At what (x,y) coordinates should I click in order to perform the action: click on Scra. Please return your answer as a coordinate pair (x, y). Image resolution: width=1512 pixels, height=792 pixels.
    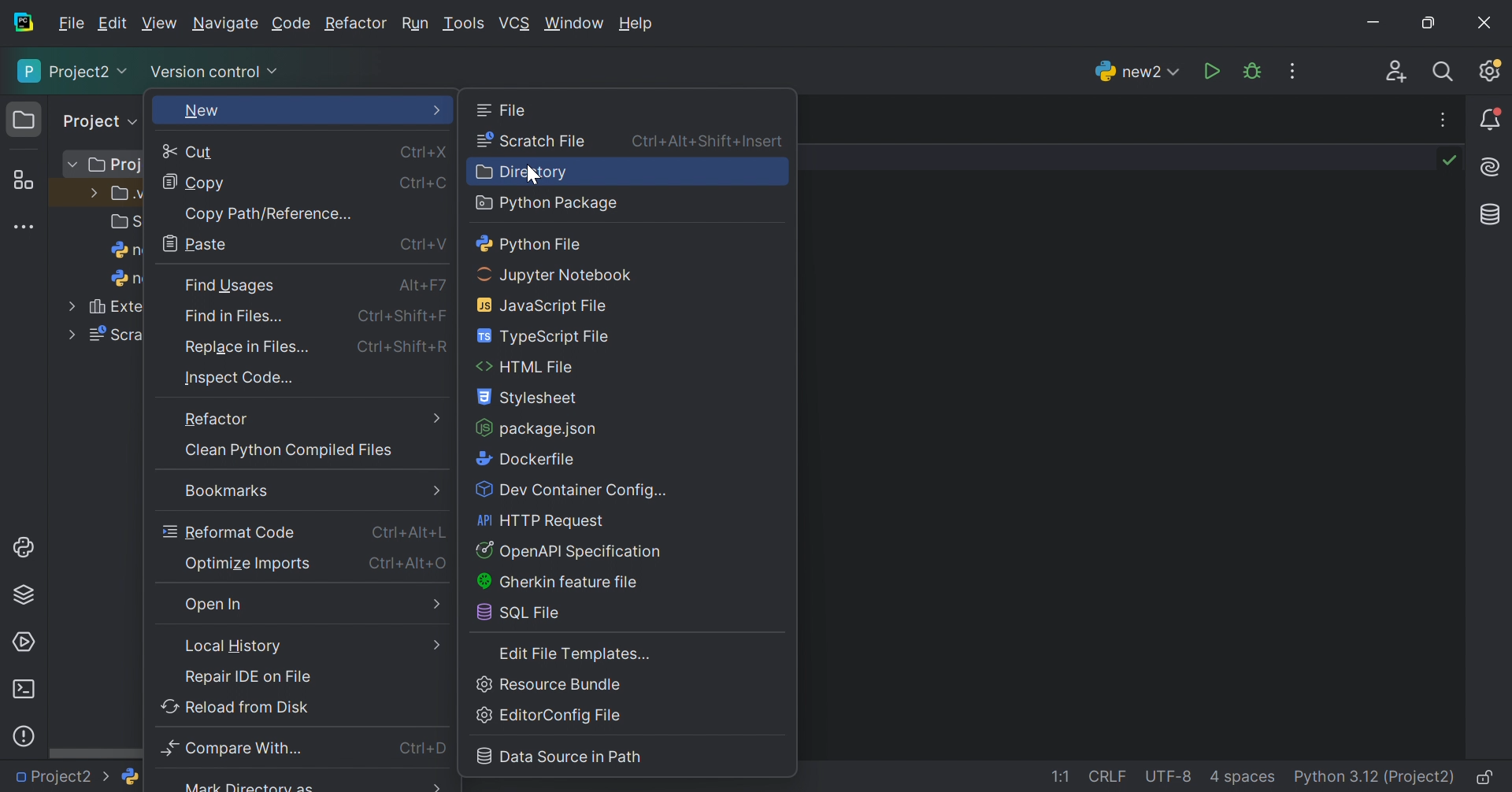
    Looking at the image, I should click on (116, 336).